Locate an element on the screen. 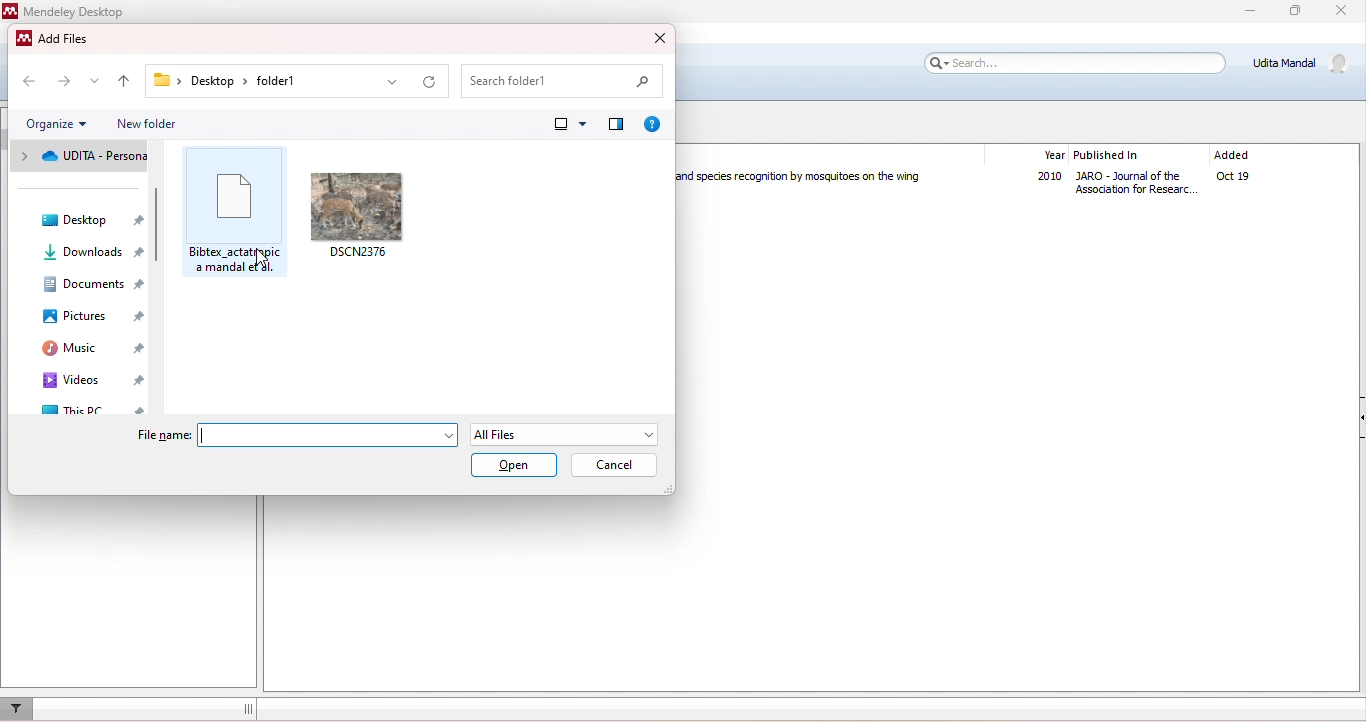 This screenshot has width=1366, height=722. added is located at coordinates (1231, 156).